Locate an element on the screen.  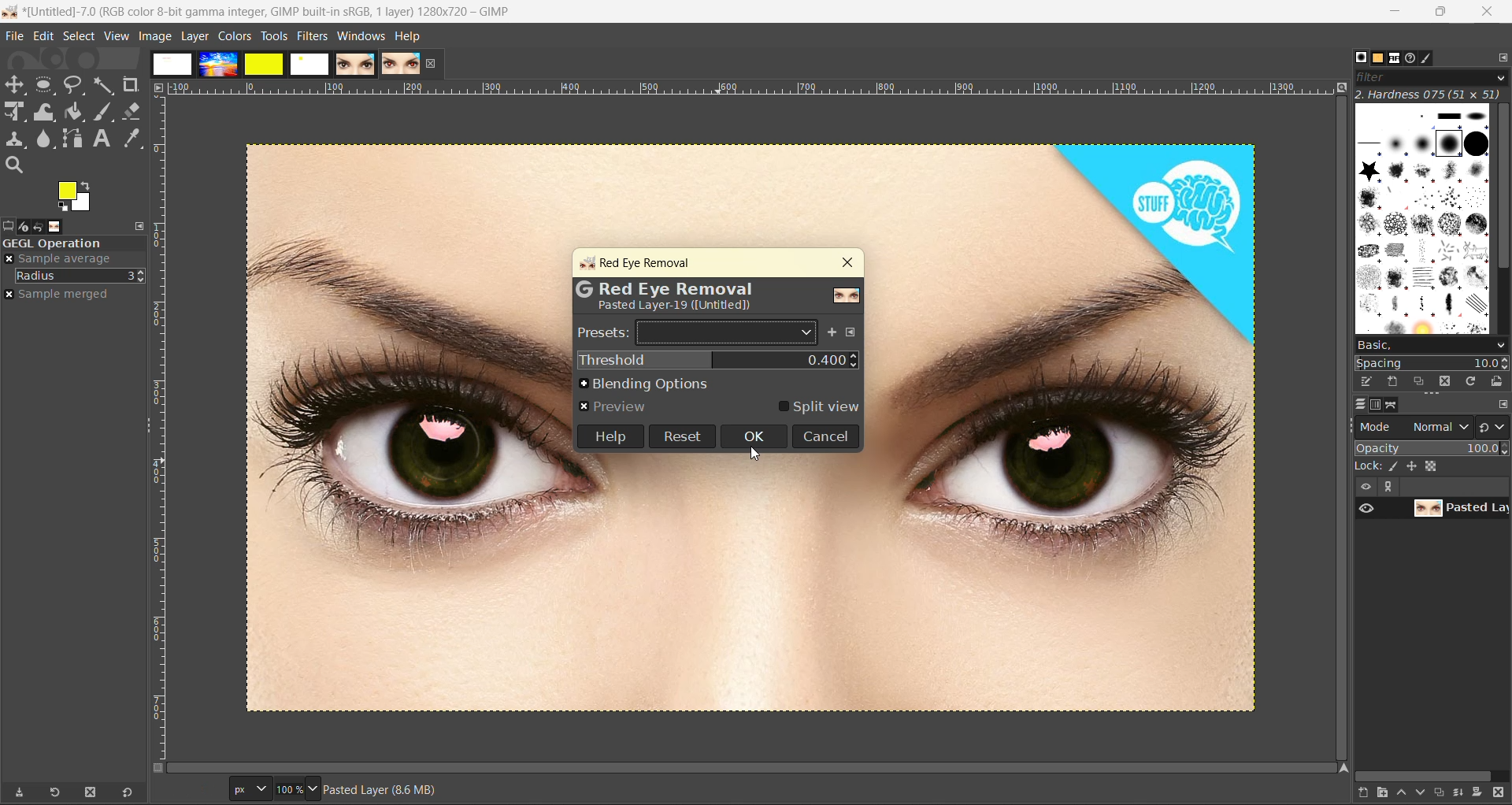
colors is located at coordinates (234, 38).